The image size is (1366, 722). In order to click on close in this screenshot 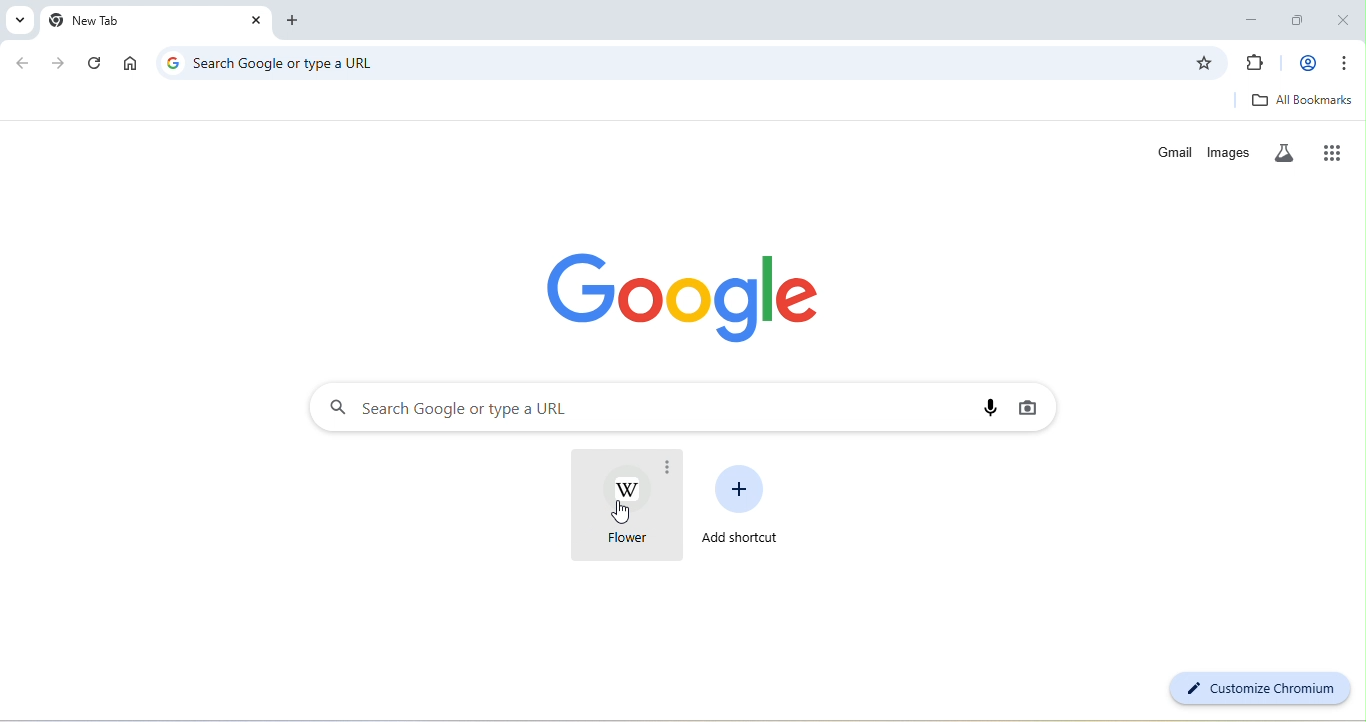, I will do `click(257, 21)`.